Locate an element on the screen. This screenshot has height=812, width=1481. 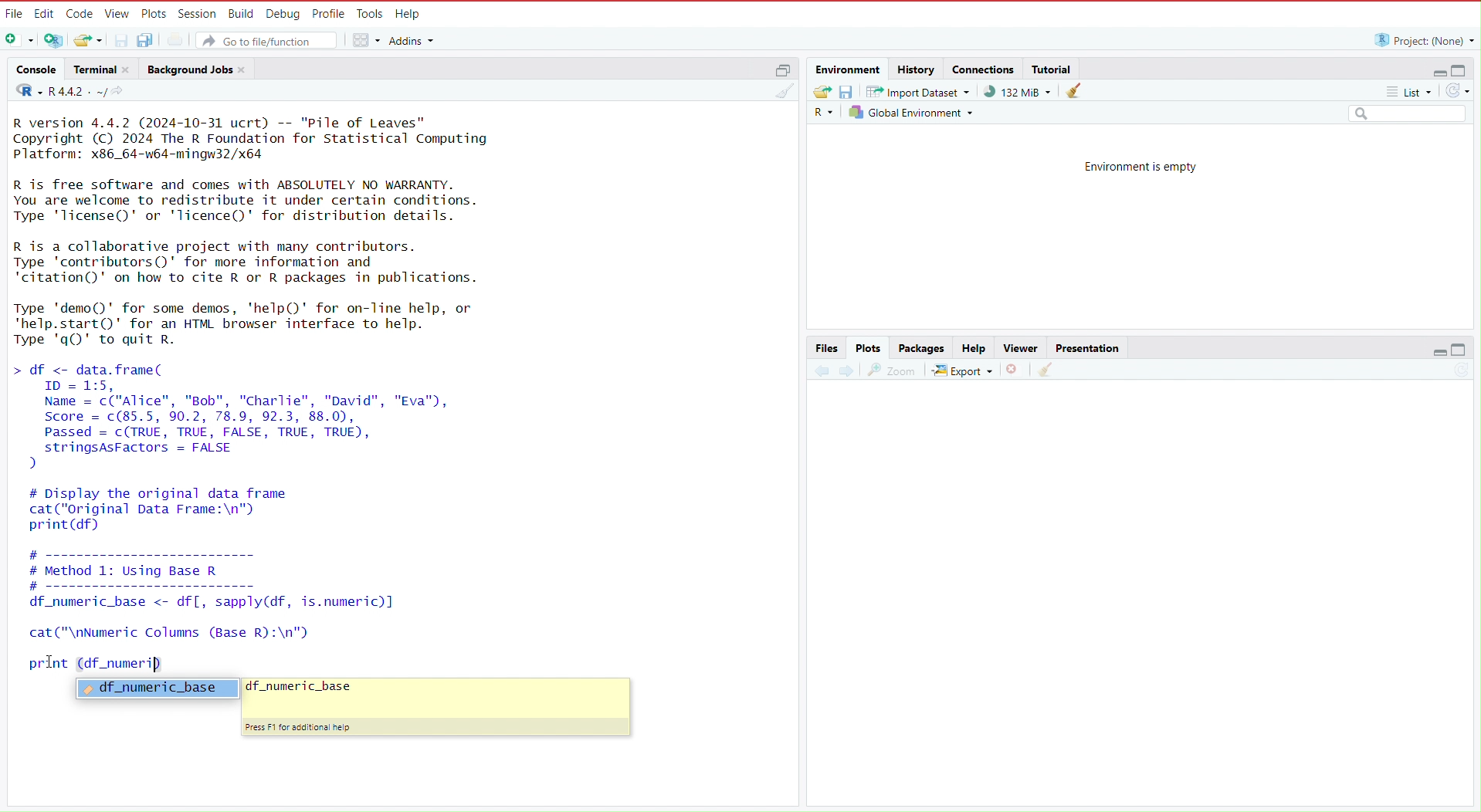
workspace panes is located at coordinates (366, 40).